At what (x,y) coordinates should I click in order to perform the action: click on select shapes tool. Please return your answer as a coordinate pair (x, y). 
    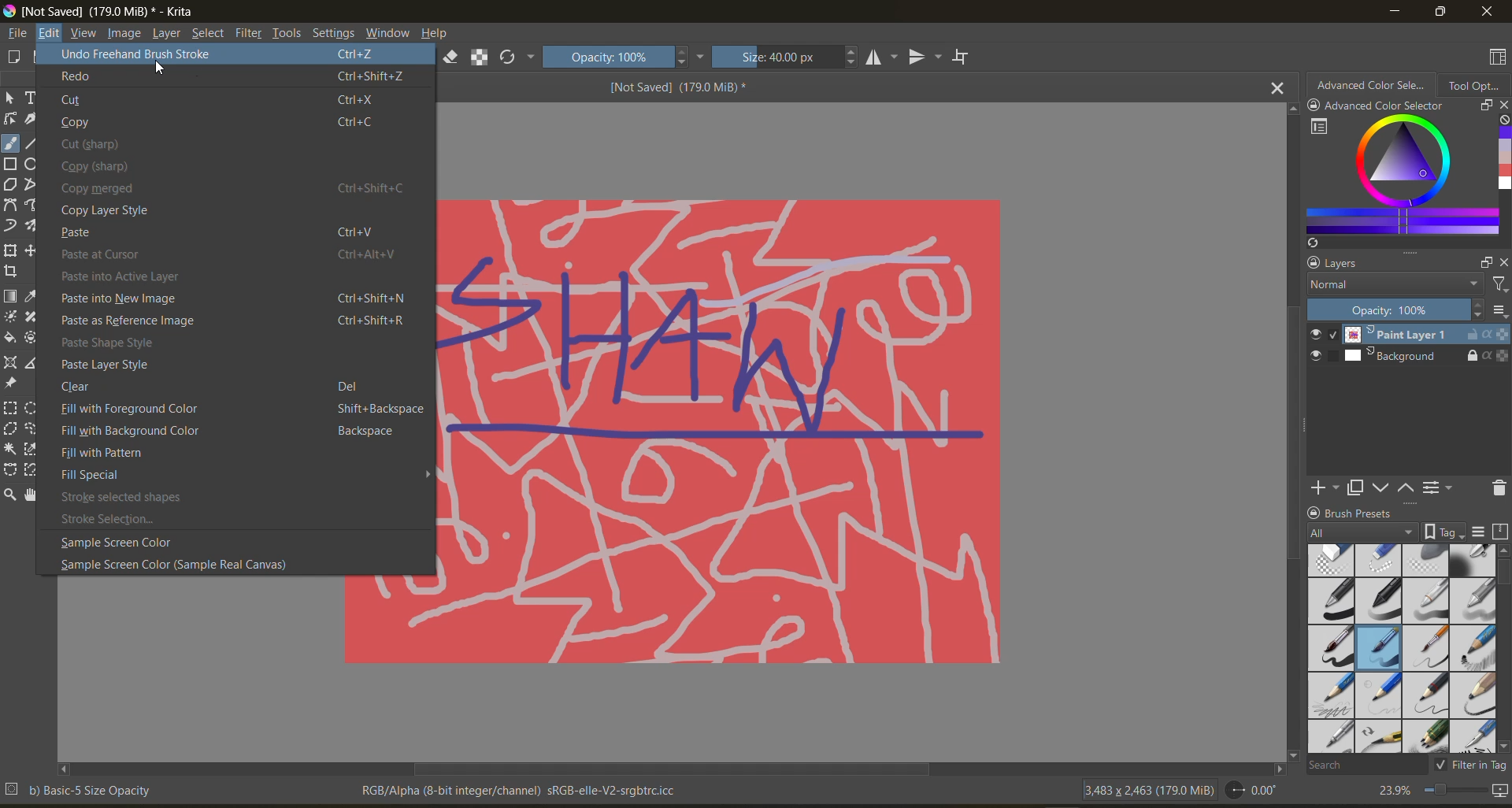
    Looking at the image, I should click on (11, 98).